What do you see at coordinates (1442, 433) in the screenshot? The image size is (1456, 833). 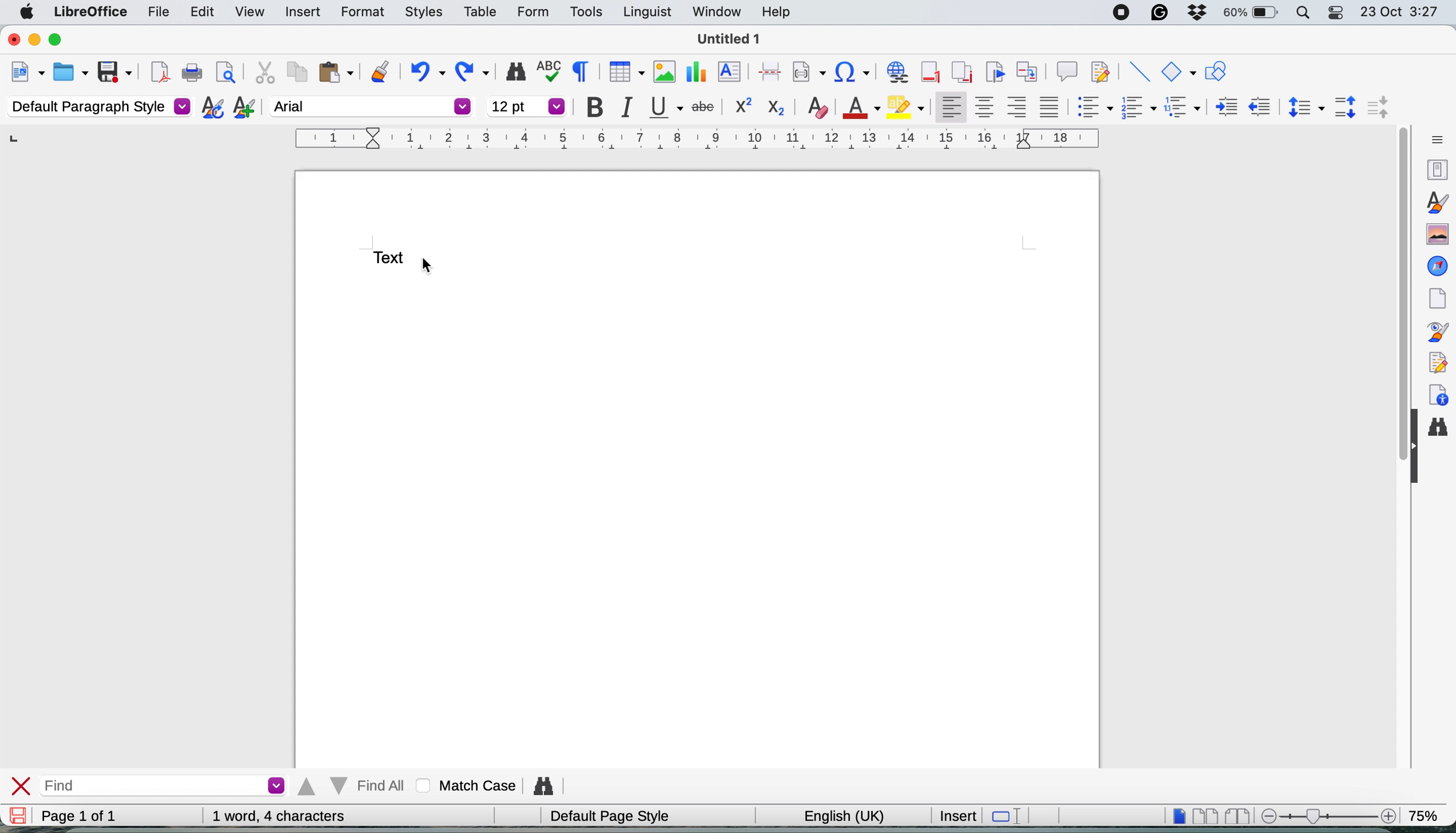 I see `find and replace` at bounding box center [1442, 433].